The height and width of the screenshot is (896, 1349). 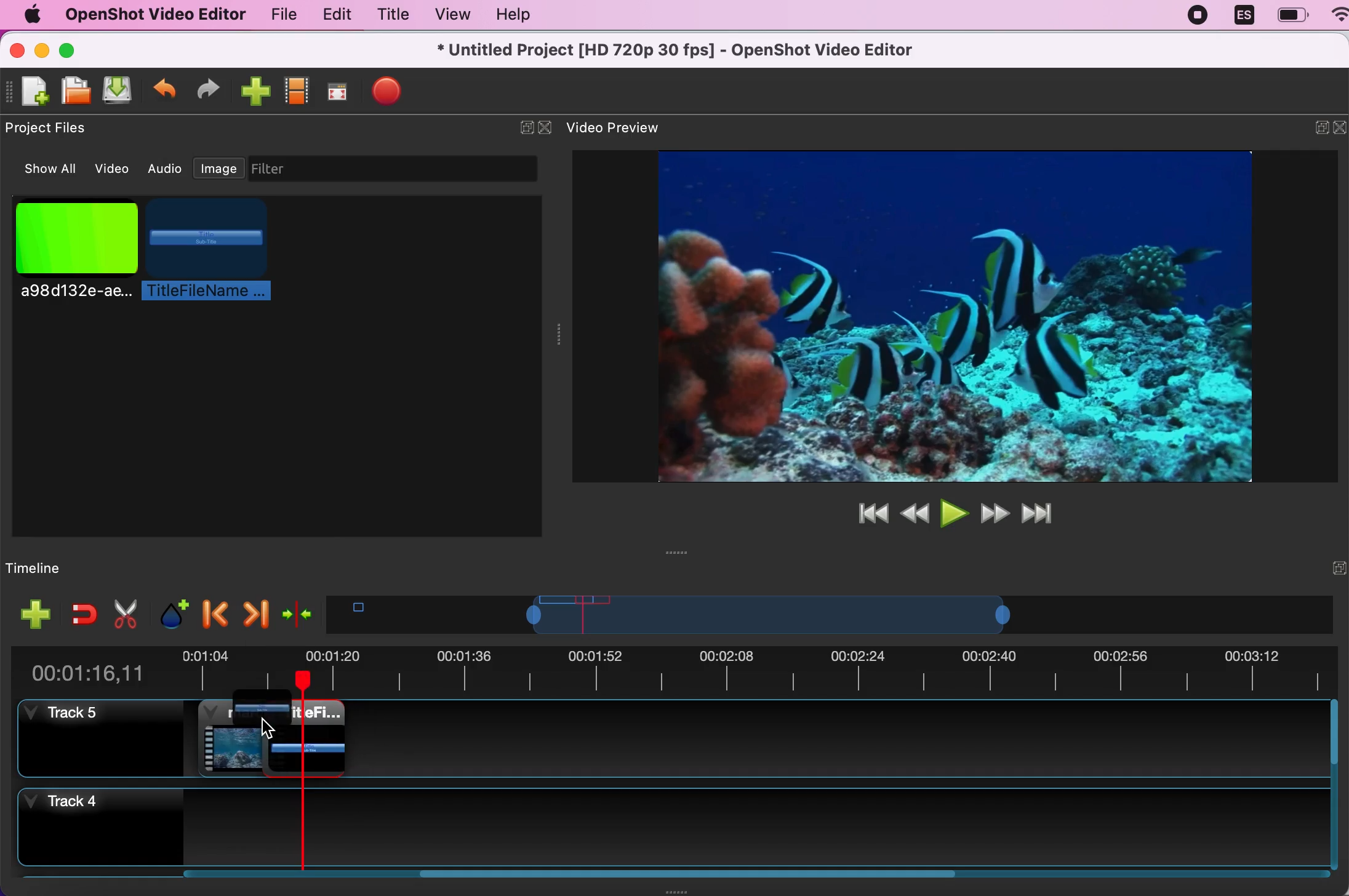 I want to click on mac logo, so click(x=31, y=14).